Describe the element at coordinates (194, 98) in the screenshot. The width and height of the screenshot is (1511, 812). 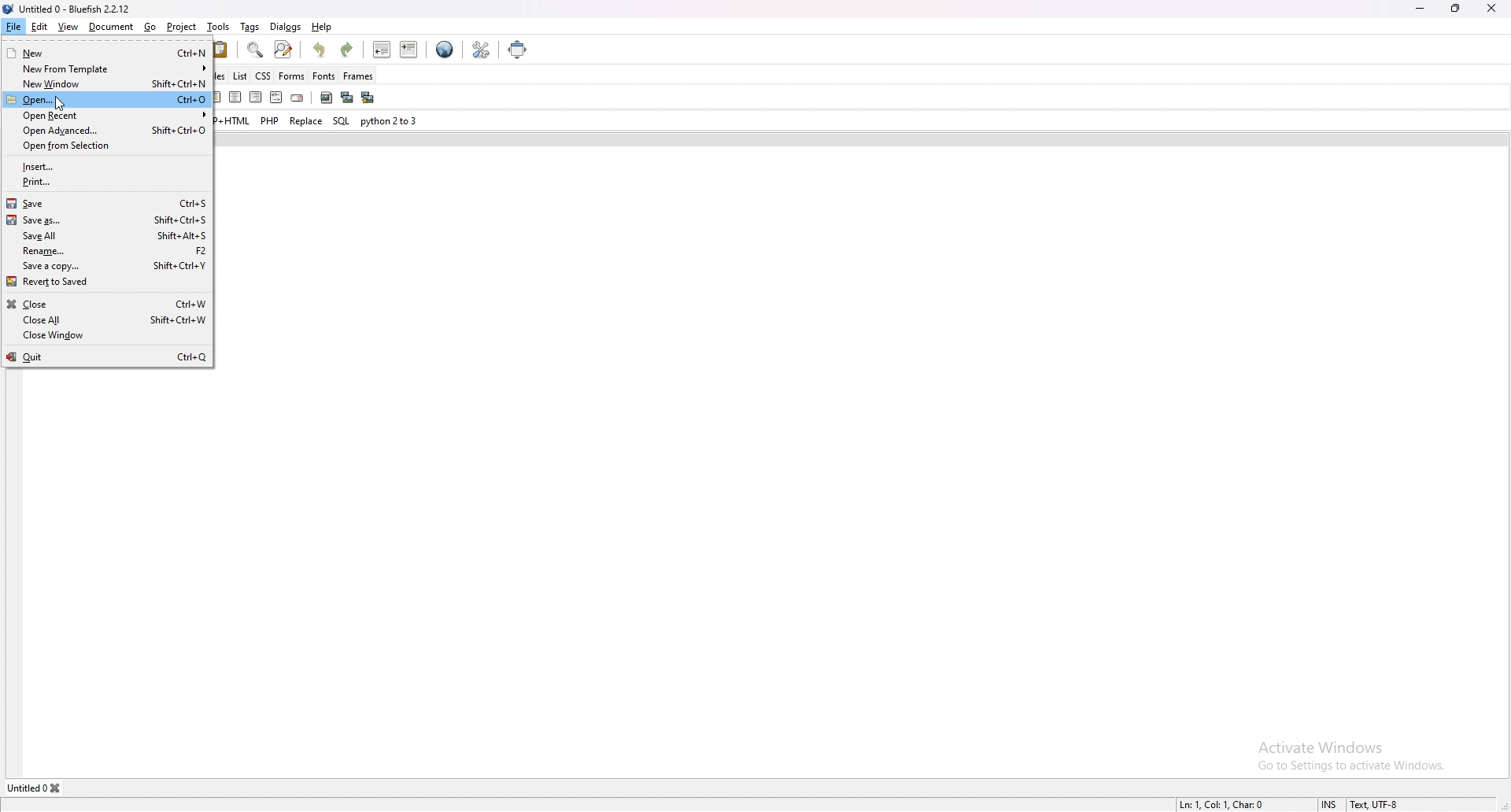
I see `anchor` at that location.